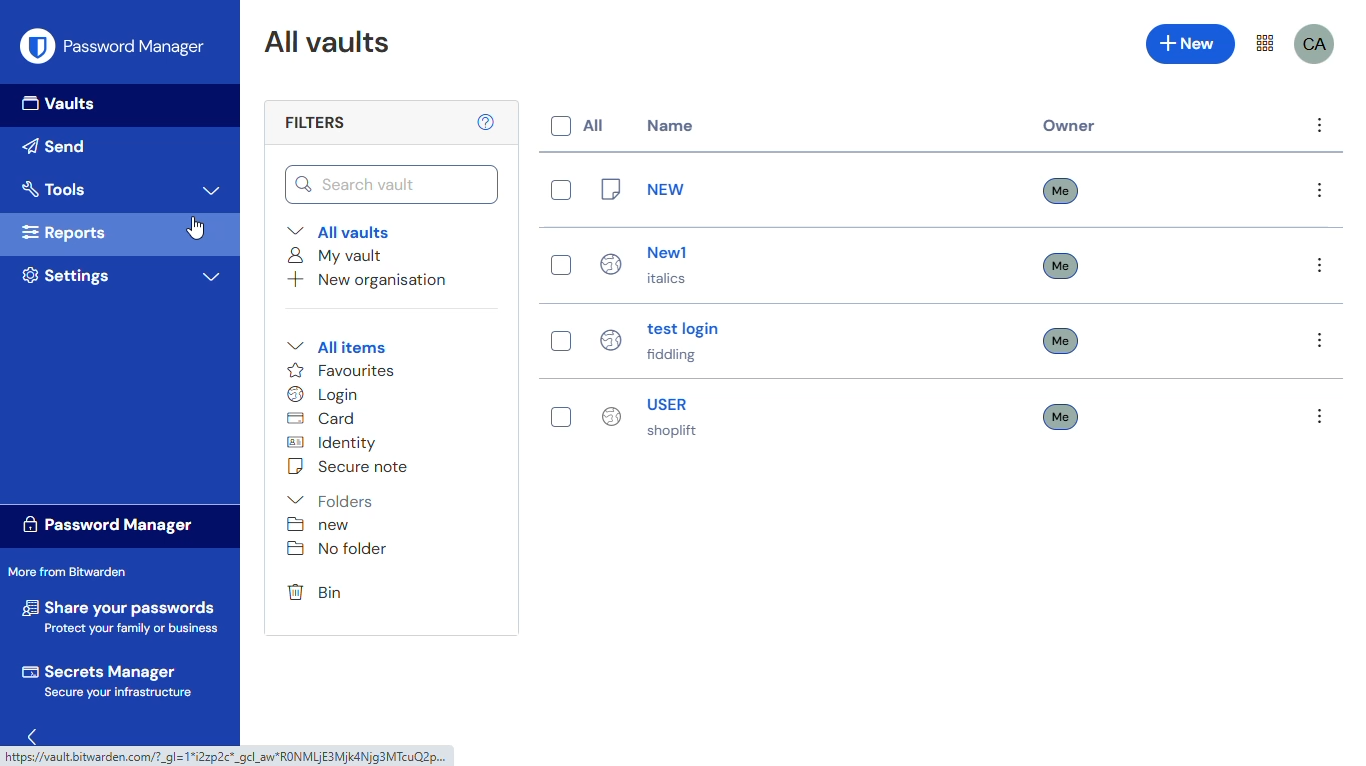 The width and height of the screenshot is (1366, 766). Describe the element at coordinates (1322, 341) in the screenshot. I see `options` at that location.